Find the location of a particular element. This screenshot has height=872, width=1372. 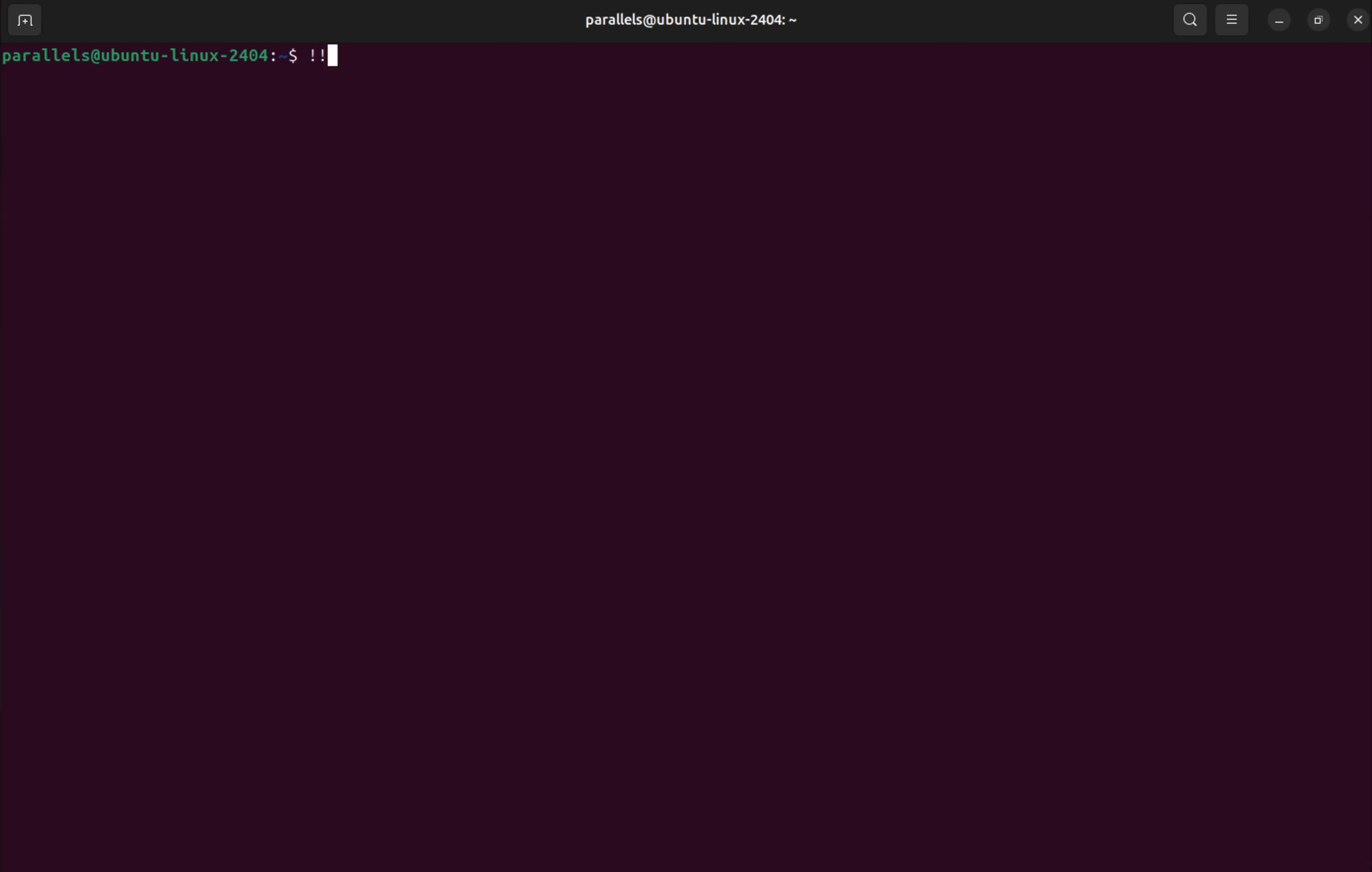

add terminal is located at coordinates (30, 22).